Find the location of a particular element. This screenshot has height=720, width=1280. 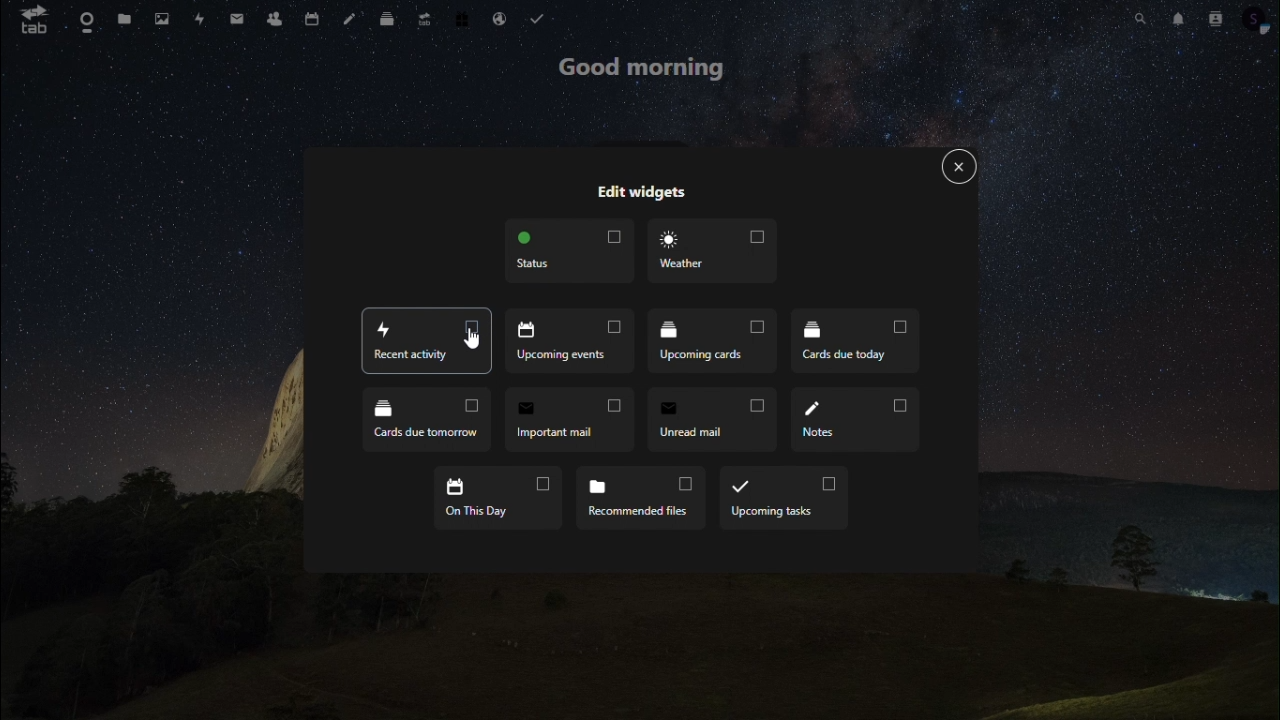

cards due today is located at coordinates (855, 341).